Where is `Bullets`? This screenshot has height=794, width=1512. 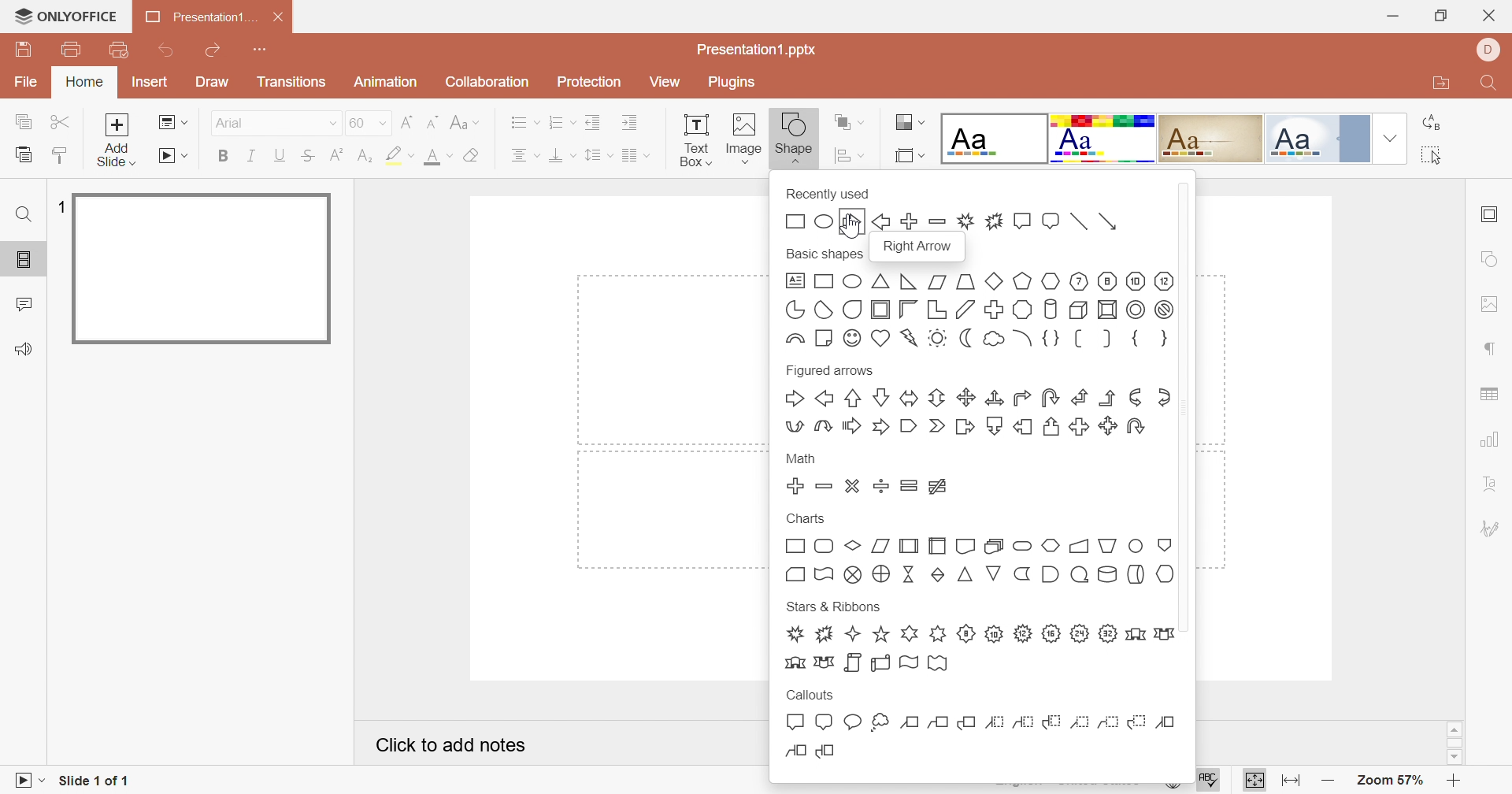 Bullets is located at coordinates (521, 121).